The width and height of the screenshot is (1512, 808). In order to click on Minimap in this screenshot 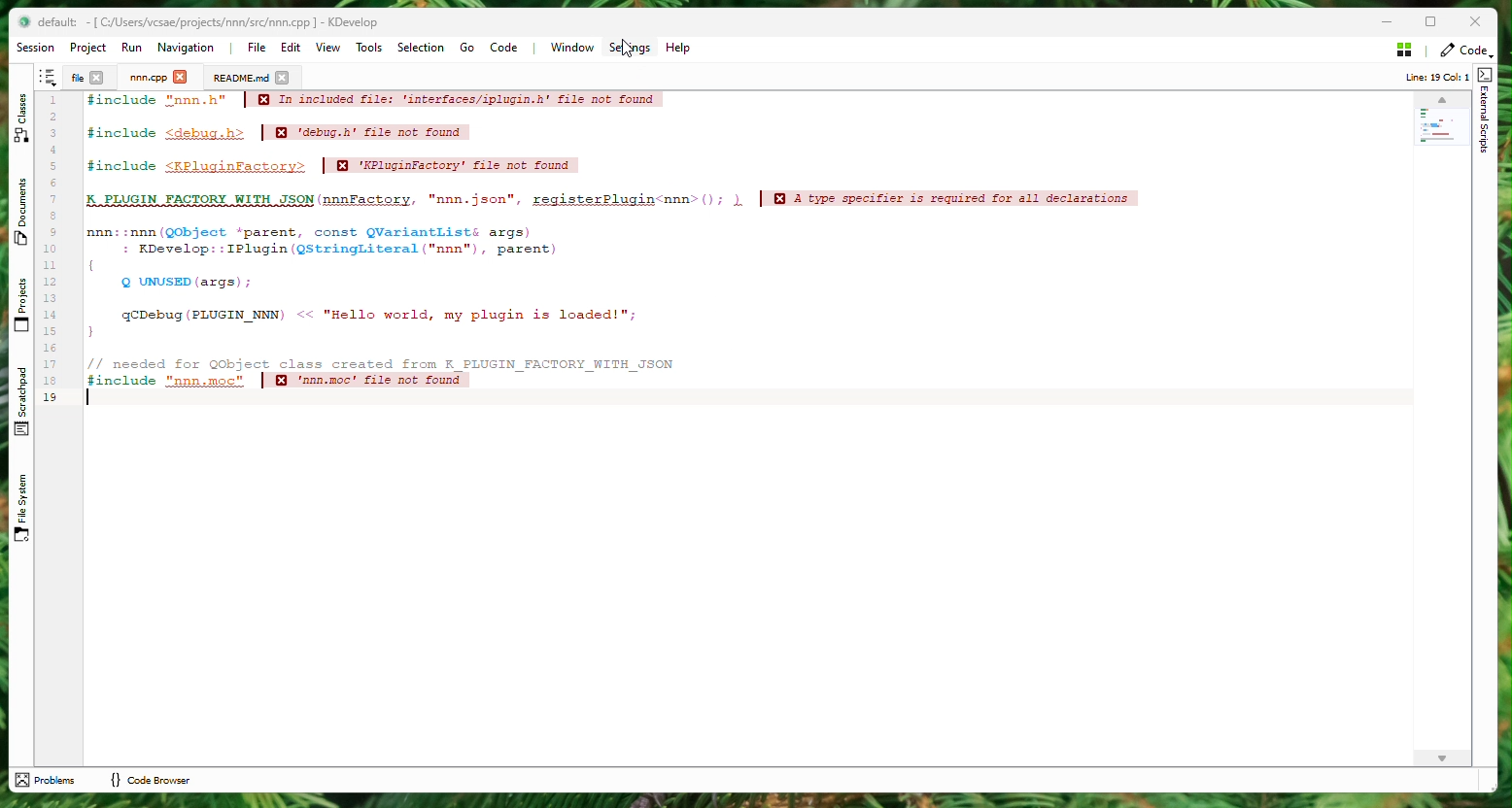, I will do `click(1443, 118)`.